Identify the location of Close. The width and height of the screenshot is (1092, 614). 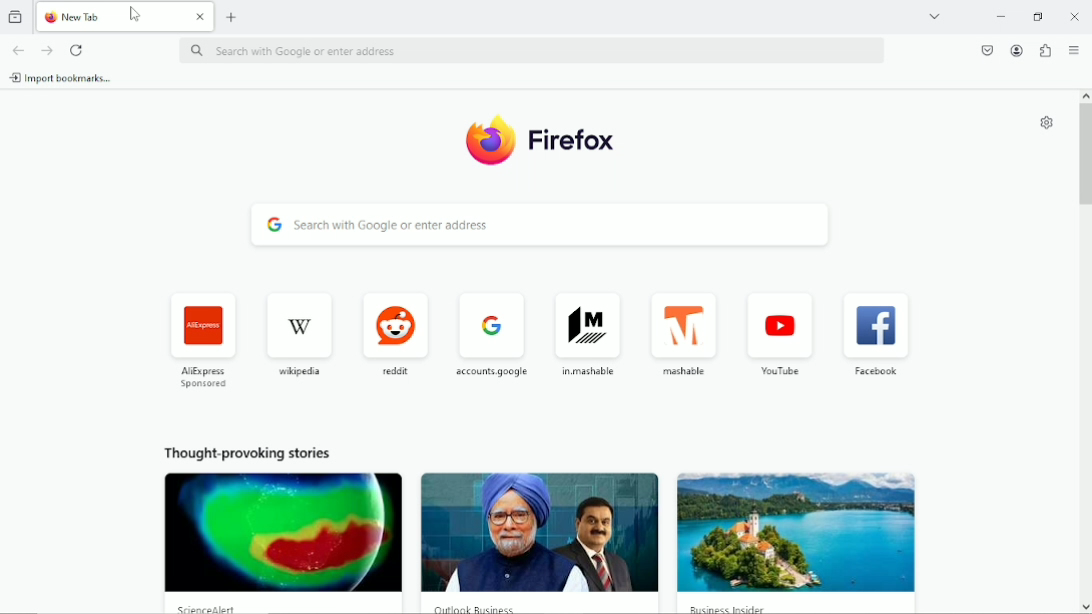
(1069, 18).